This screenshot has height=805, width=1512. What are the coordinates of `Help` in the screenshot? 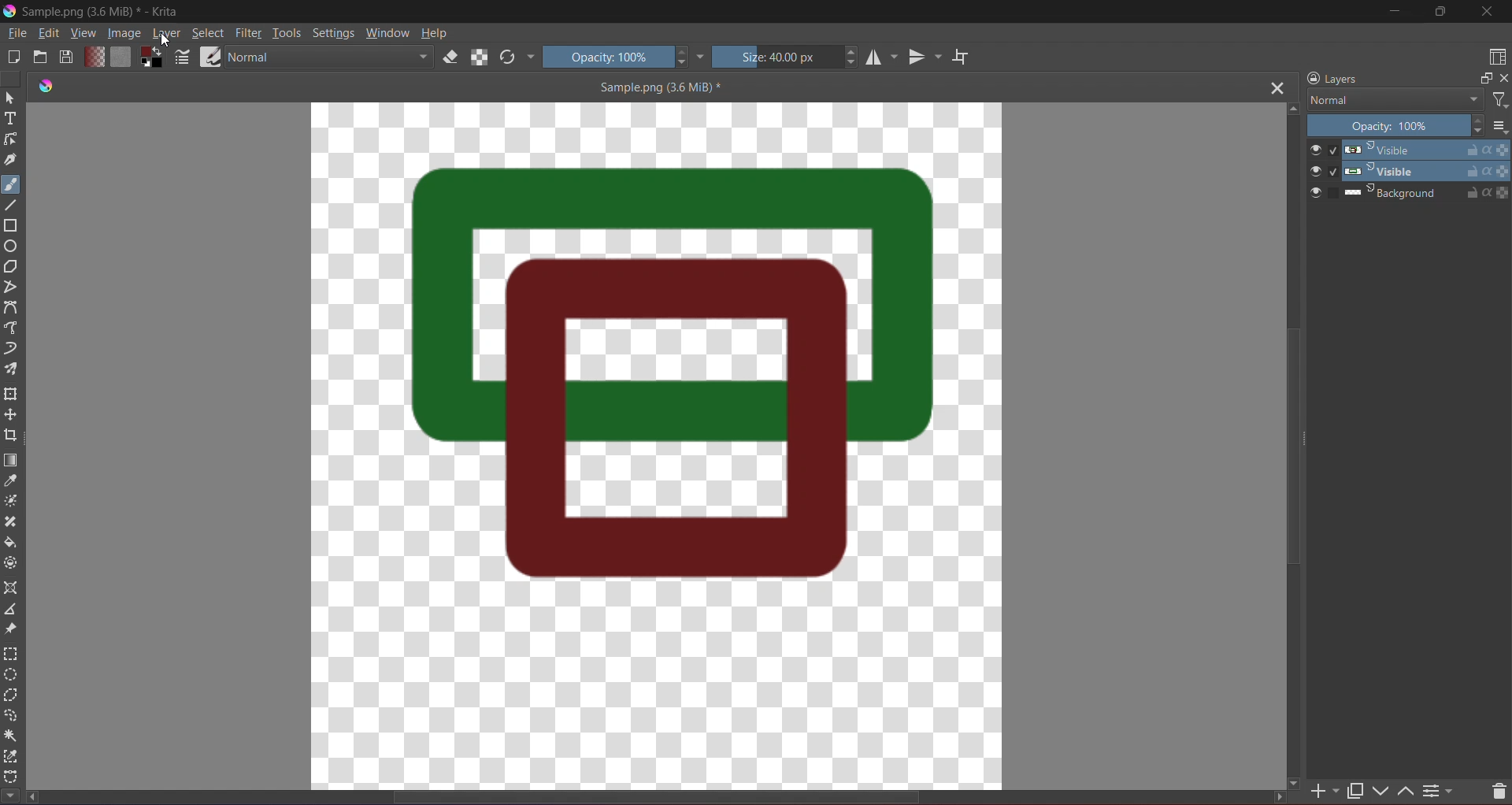 It's located at (436, 32).